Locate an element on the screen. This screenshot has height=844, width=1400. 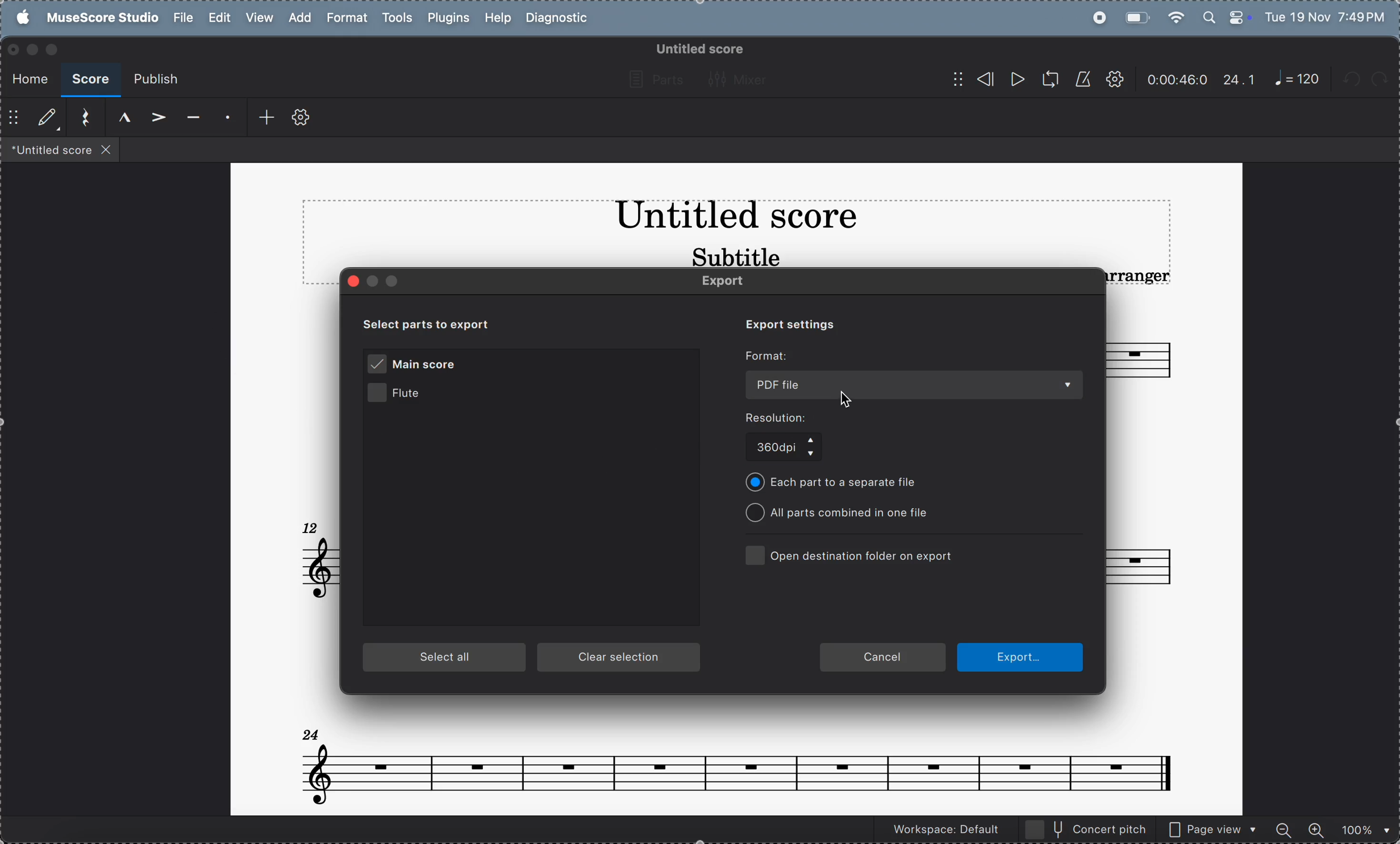
Format is located at coordinates (770, 356).